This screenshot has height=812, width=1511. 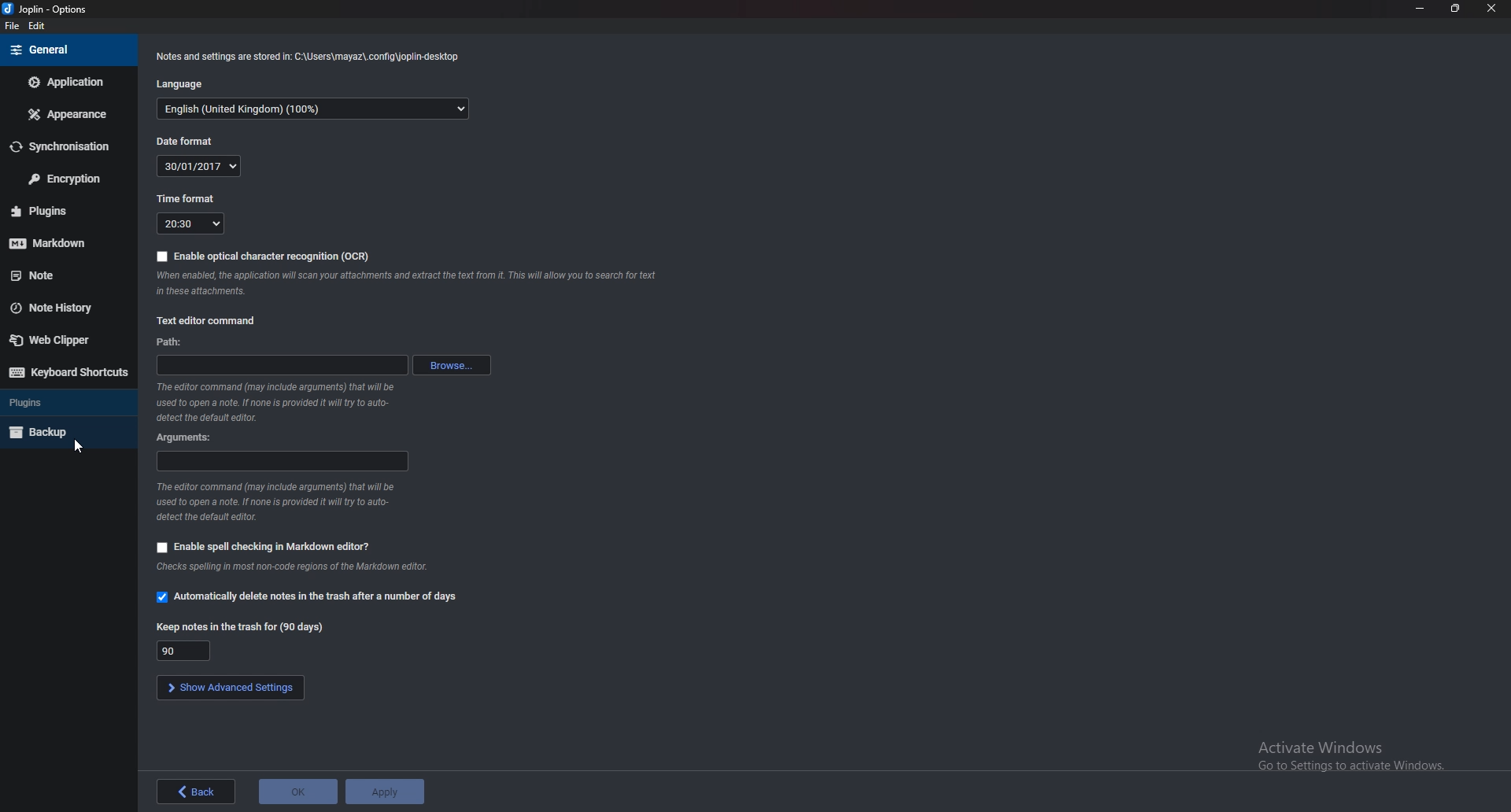 What do you see at coordinates (76, 447) in the screenshot?
I see `cursor` at bounding box center [76, 447].